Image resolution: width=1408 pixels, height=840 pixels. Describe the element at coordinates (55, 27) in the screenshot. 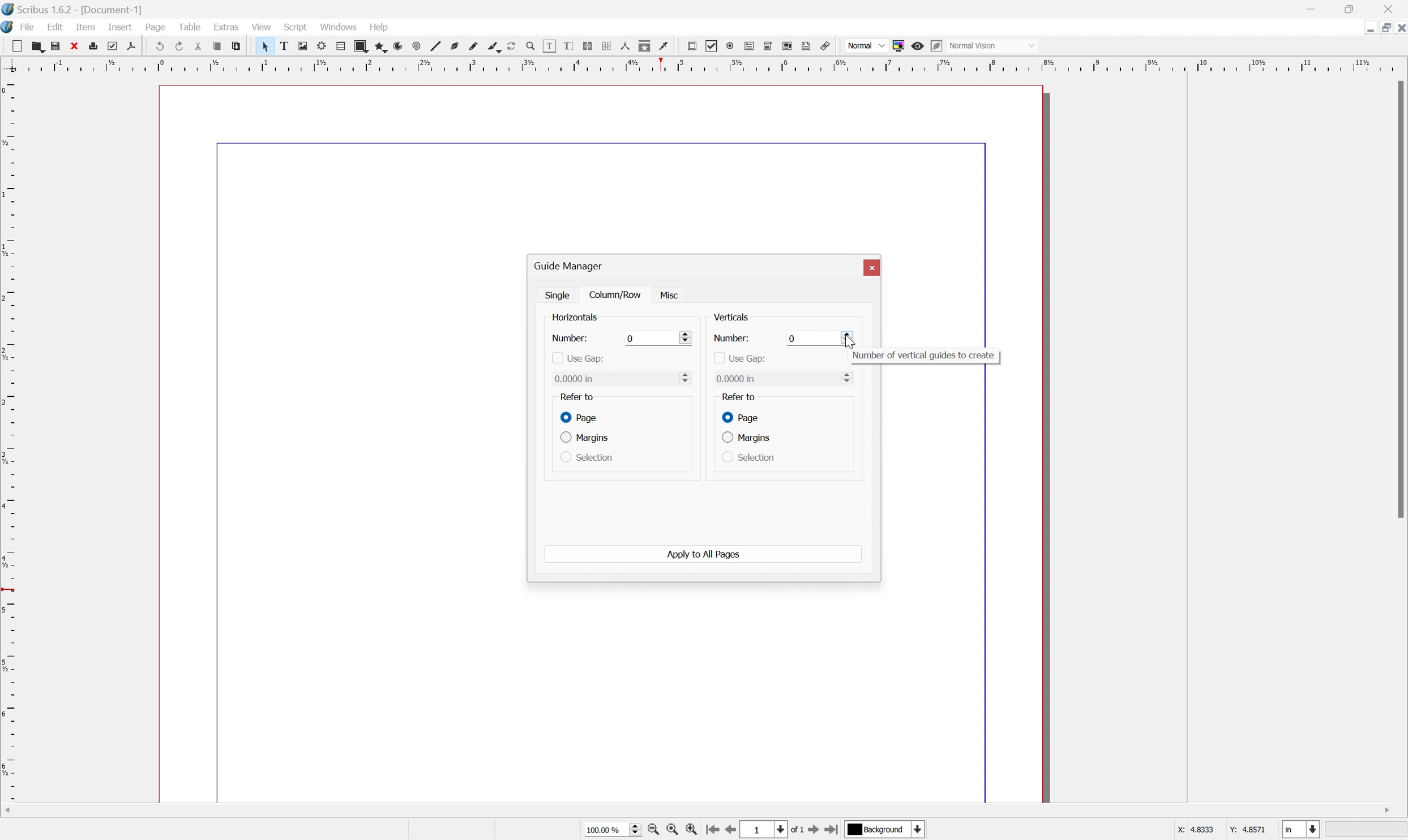

I see `edit` at that location.